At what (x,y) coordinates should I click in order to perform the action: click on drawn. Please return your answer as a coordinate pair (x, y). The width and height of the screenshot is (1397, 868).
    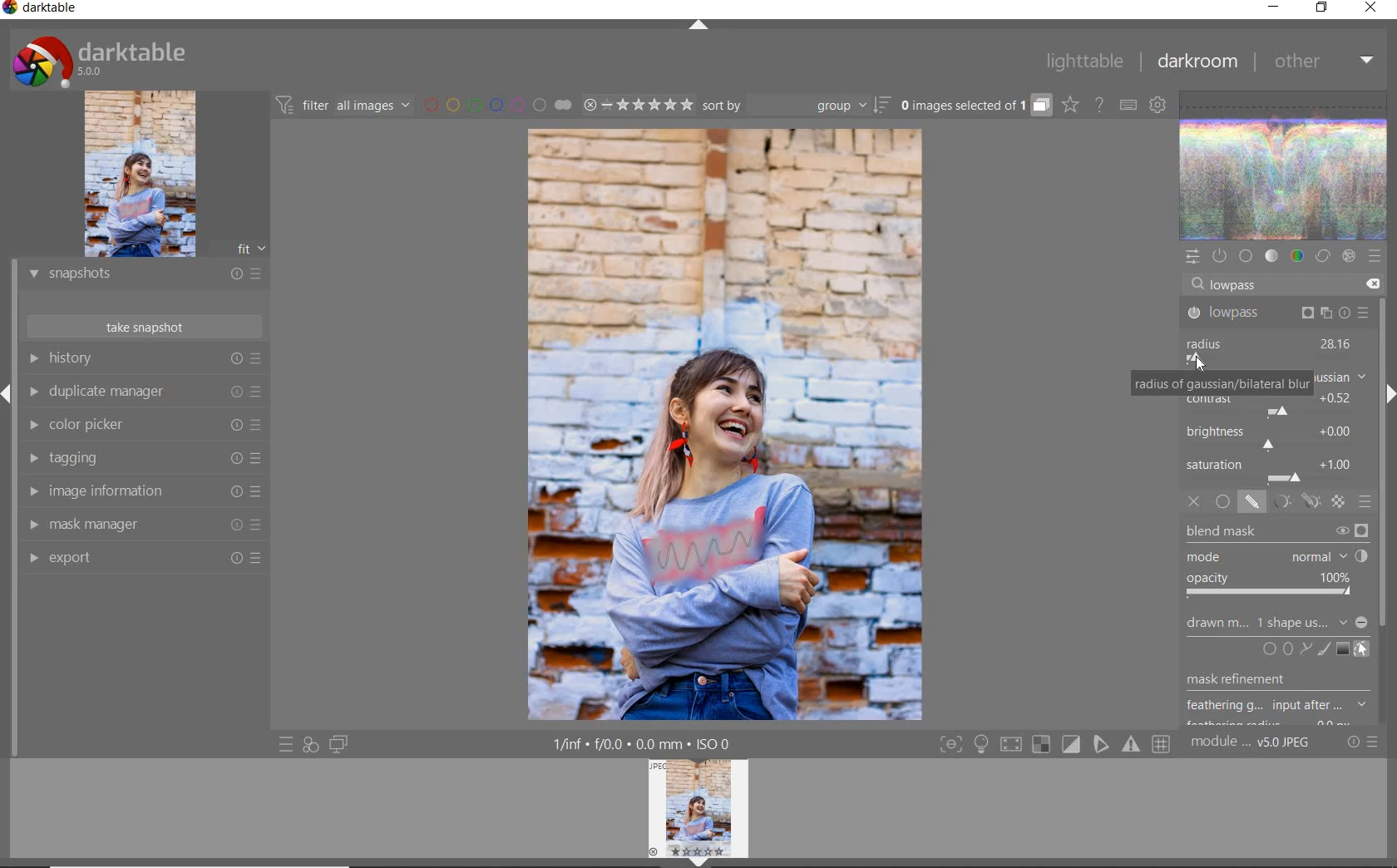
    Looking at the image, I should click on (1213, 625).